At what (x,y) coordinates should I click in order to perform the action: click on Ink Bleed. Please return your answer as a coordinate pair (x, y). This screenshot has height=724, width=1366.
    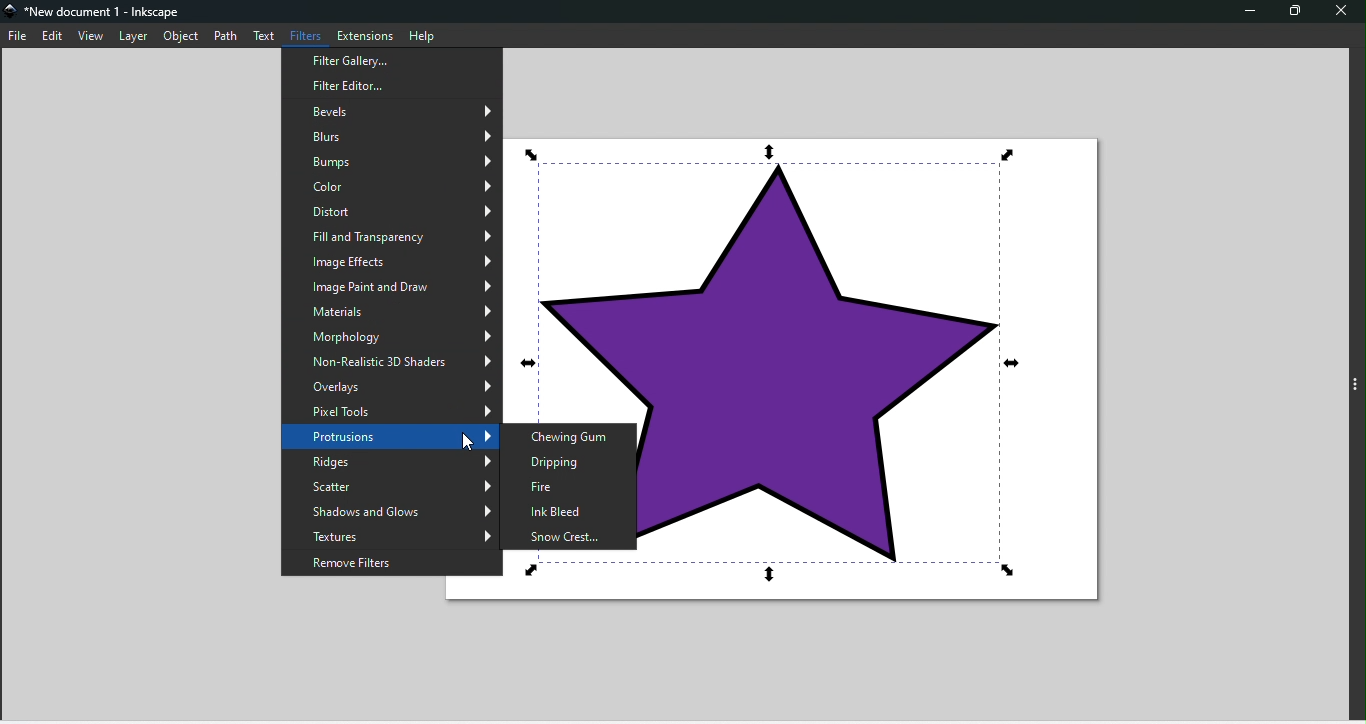
    Looking at the image, I should click on (564, 508).